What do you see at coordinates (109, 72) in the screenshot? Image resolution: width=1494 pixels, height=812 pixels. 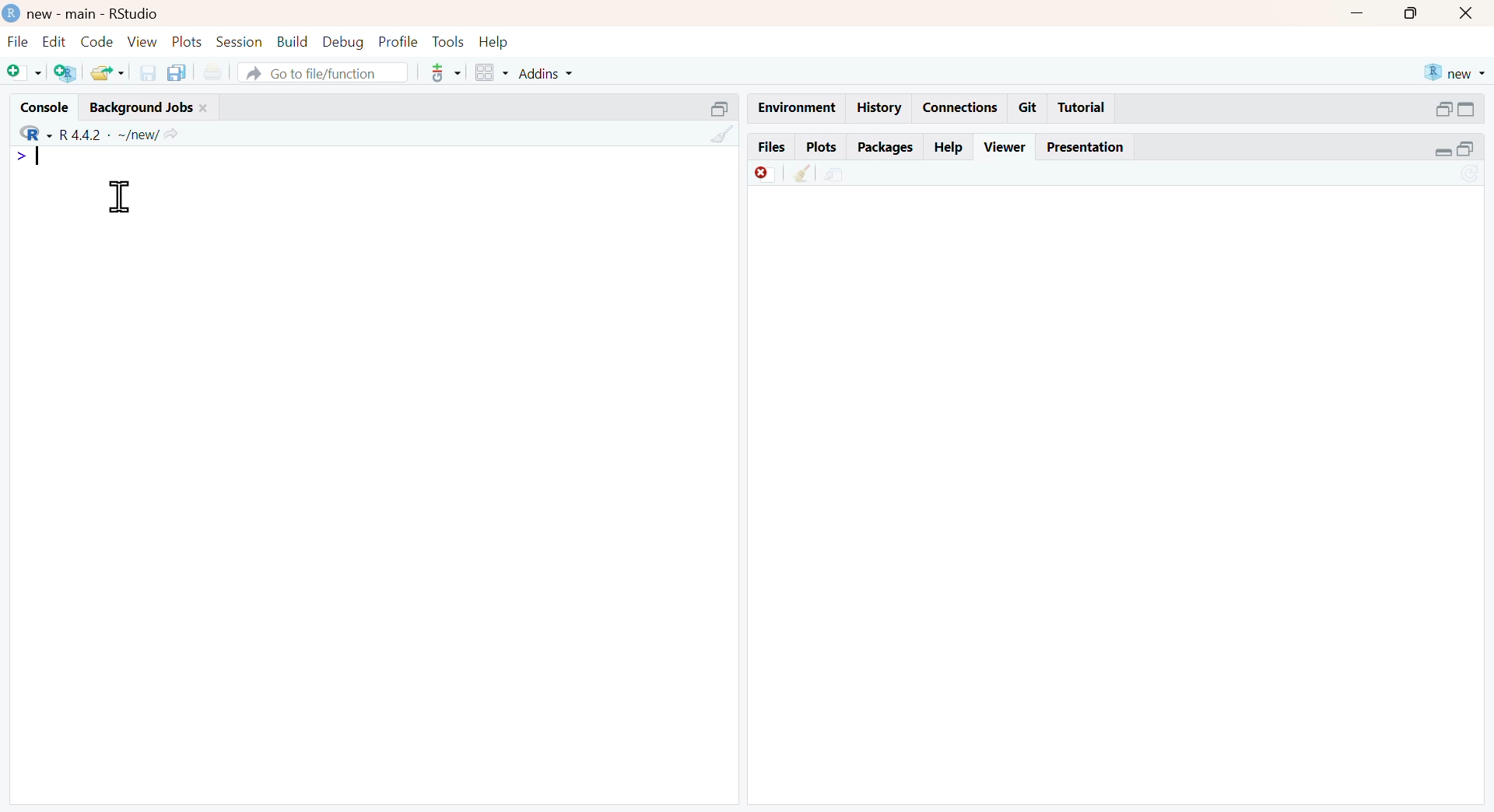 I see `share folder as` at bounding box center [109, 72].